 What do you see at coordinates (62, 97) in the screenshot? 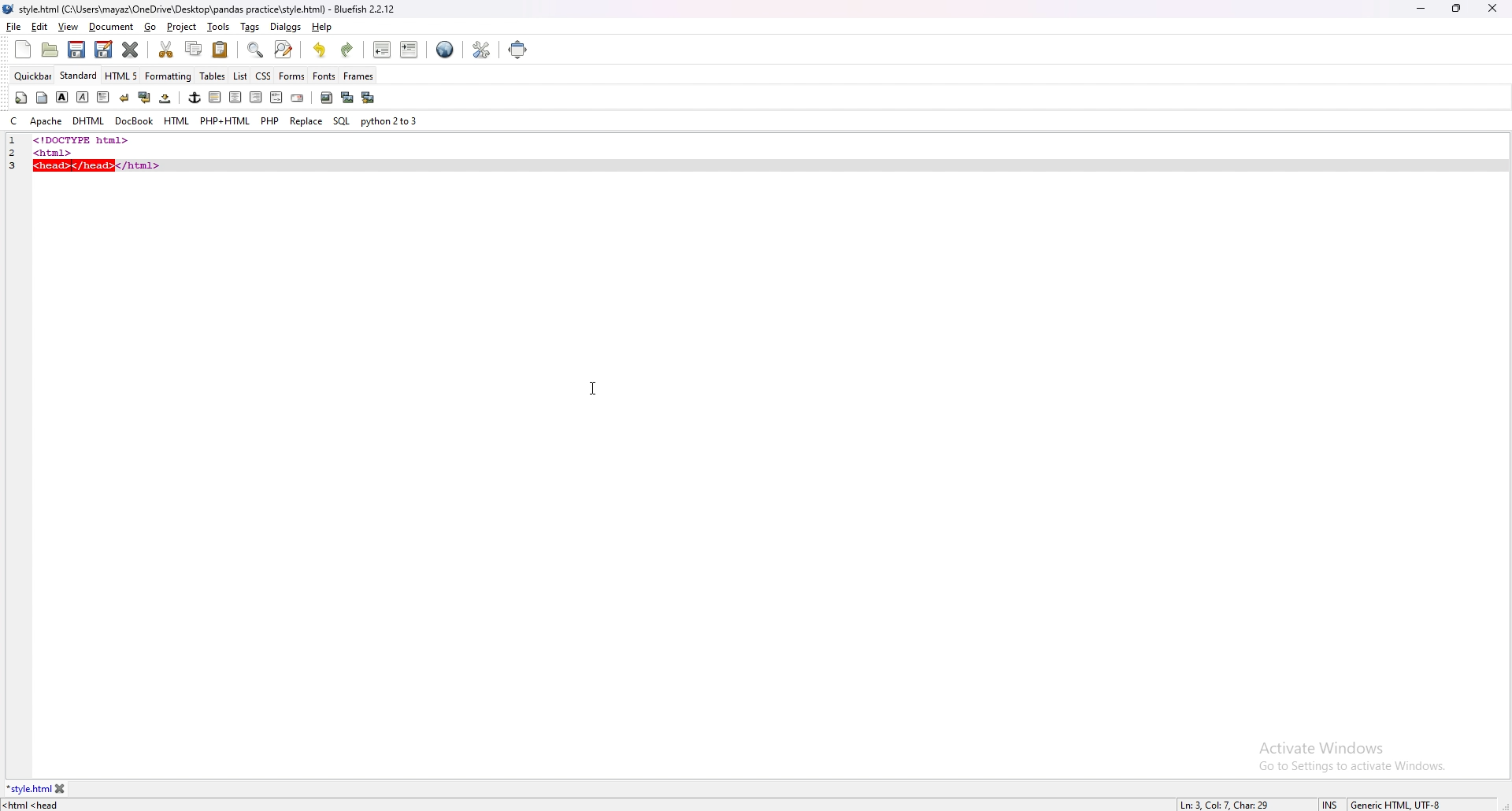
I see `bold` at bounding box center [62, 97].